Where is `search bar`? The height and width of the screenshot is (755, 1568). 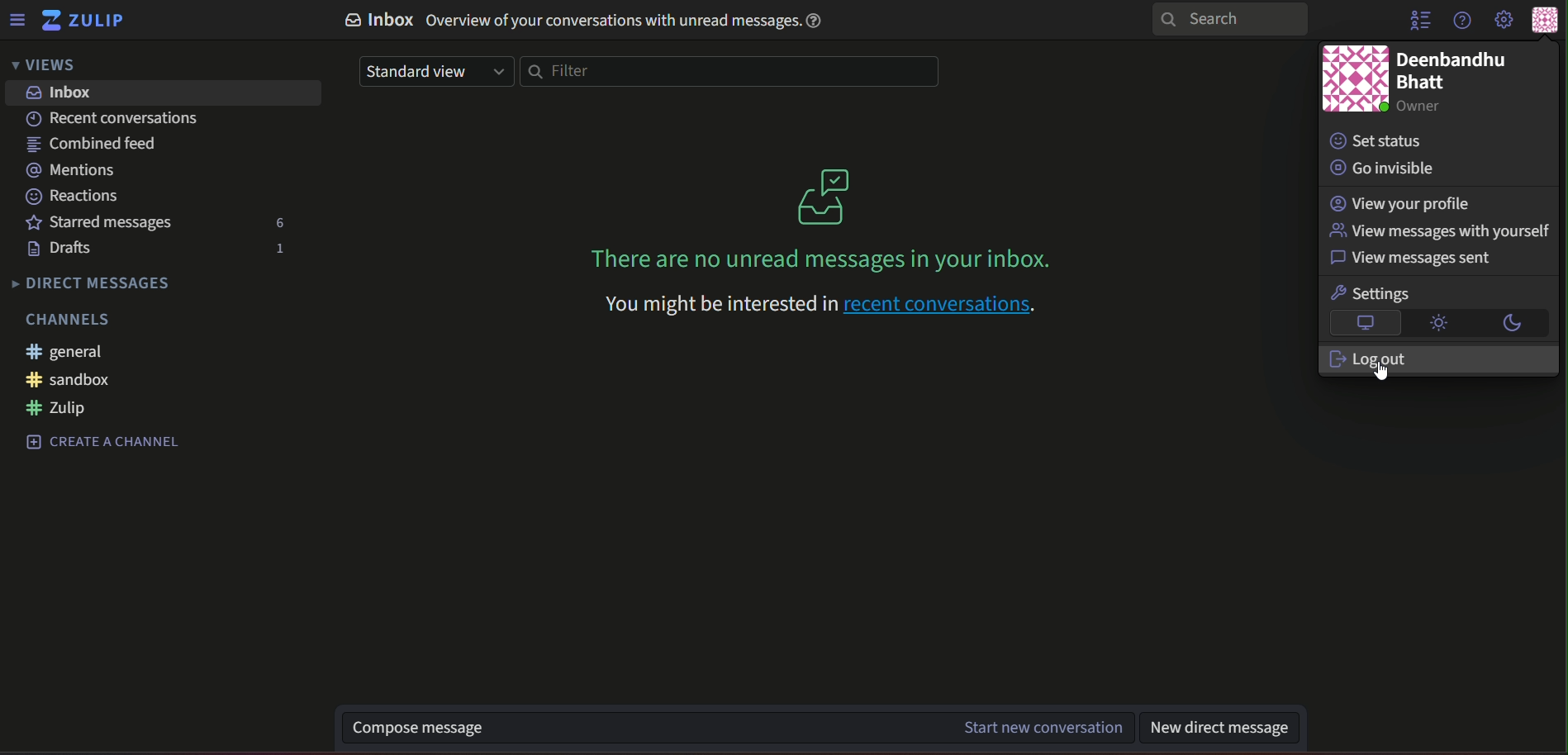
search bar is located at coordinates (1230, 20).